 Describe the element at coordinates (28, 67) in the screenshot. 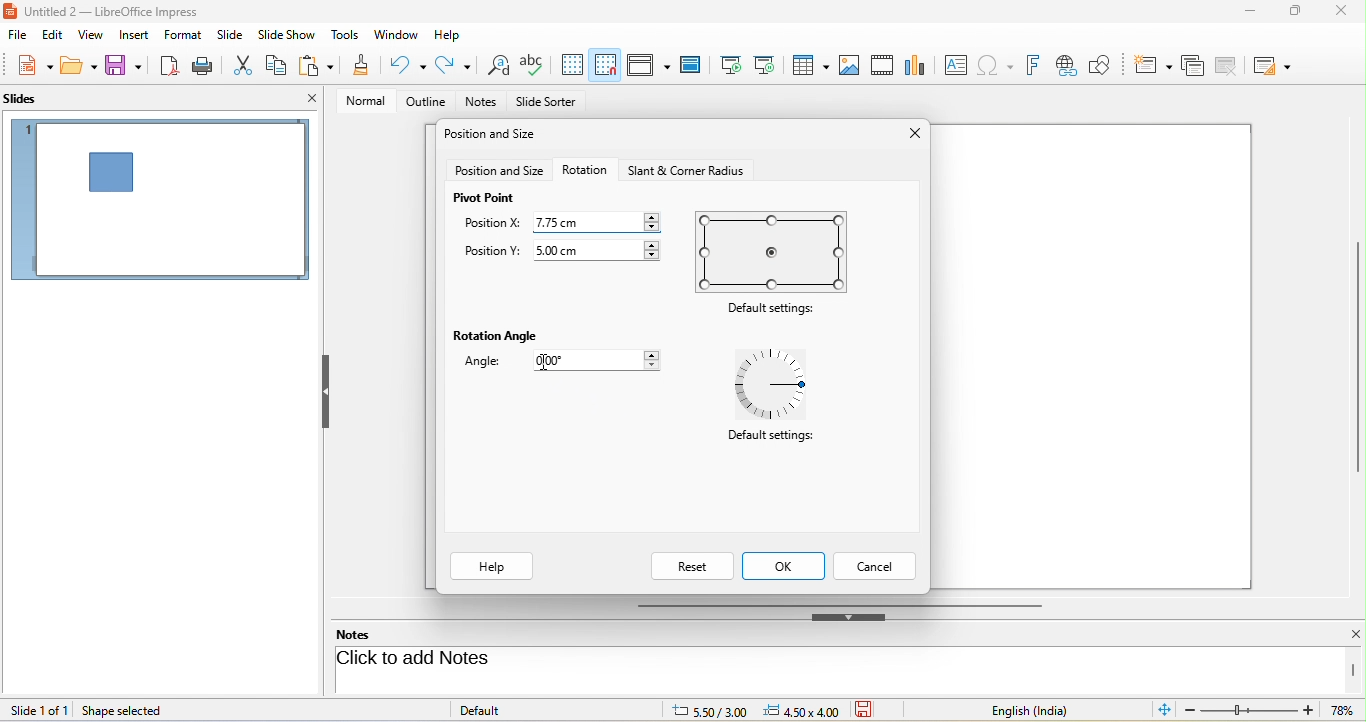

I see `new` at that location.